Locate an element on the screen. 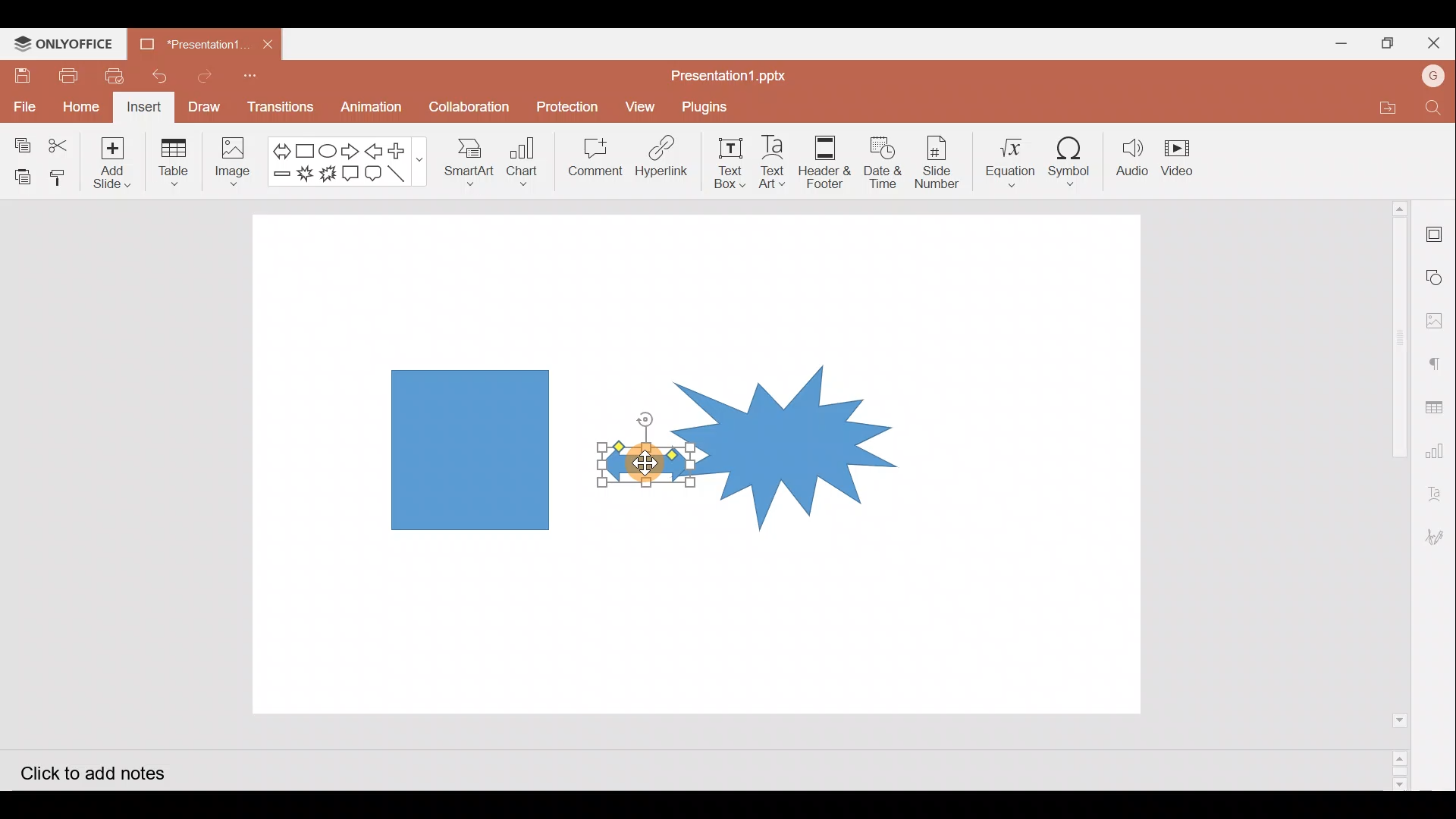  Account name is located at coordinates (1433, 78).